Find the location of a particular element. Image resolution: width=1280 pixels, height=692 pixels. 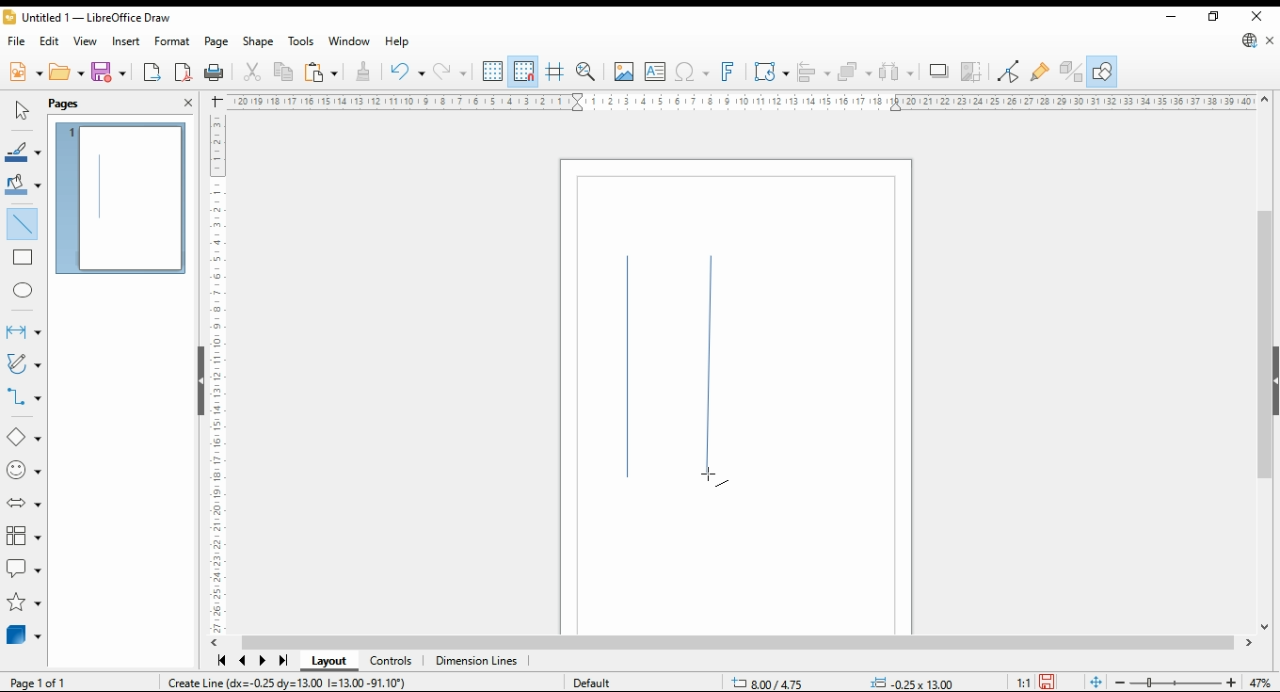

copy is located at coordinates (282, 73).